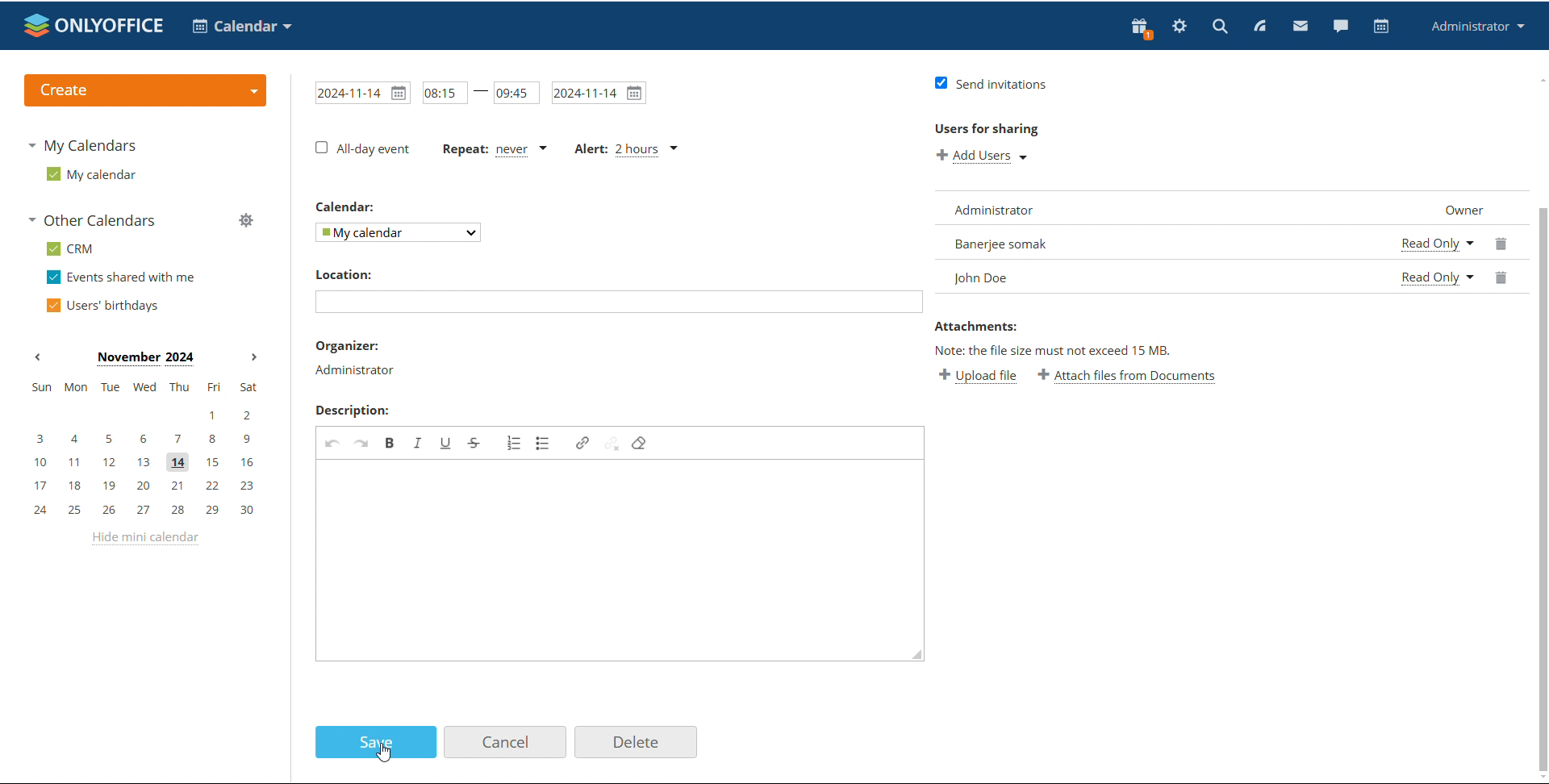 Image resolution: width=1549 pixels, height=784 pixels. Describe the element at coordinates (92, 173) in the screenshot. I see `my calendar` at that location.